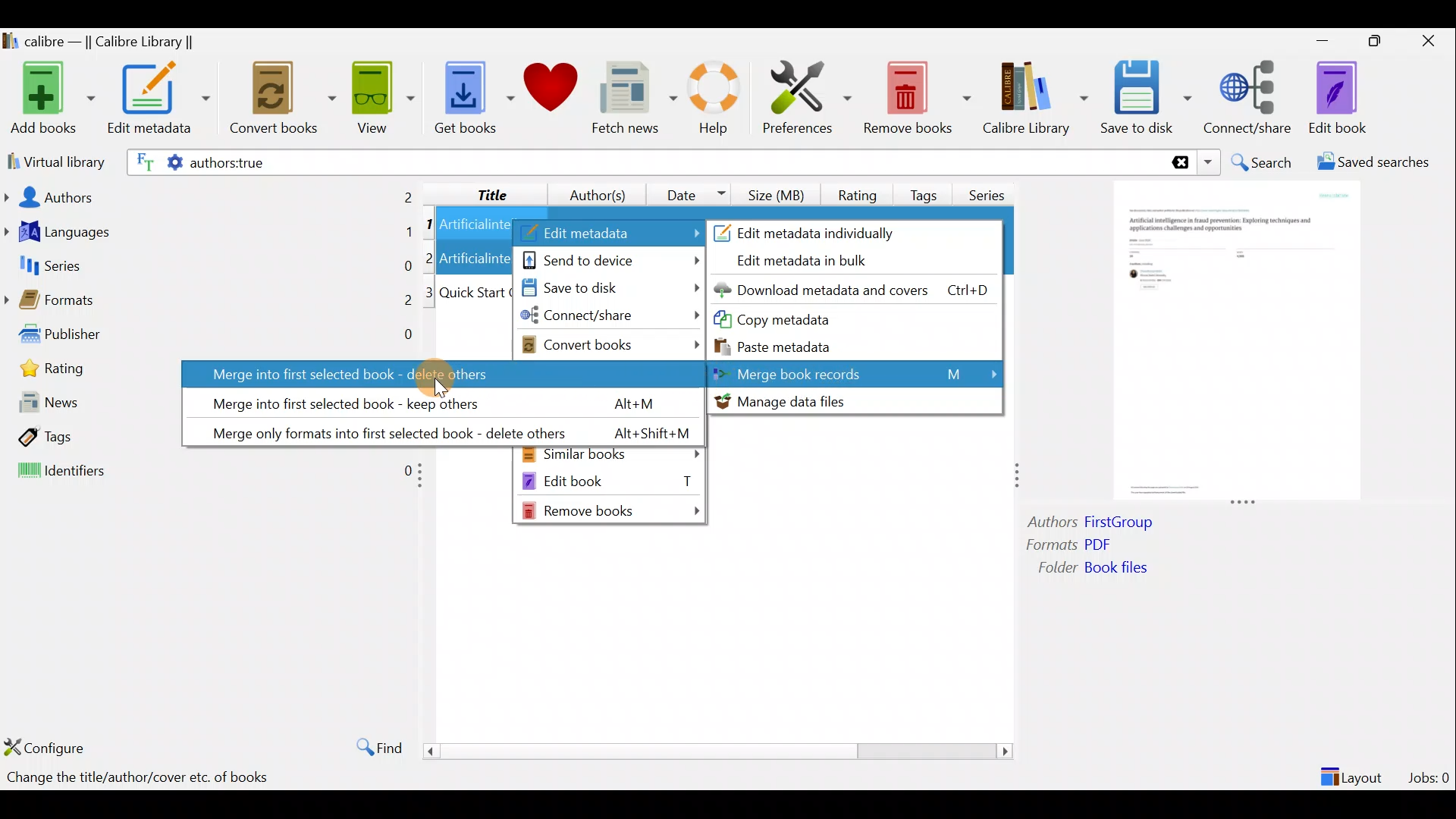  Describe the element at coordinates (689, 194) in the screenshot. I see `Date` at that location.